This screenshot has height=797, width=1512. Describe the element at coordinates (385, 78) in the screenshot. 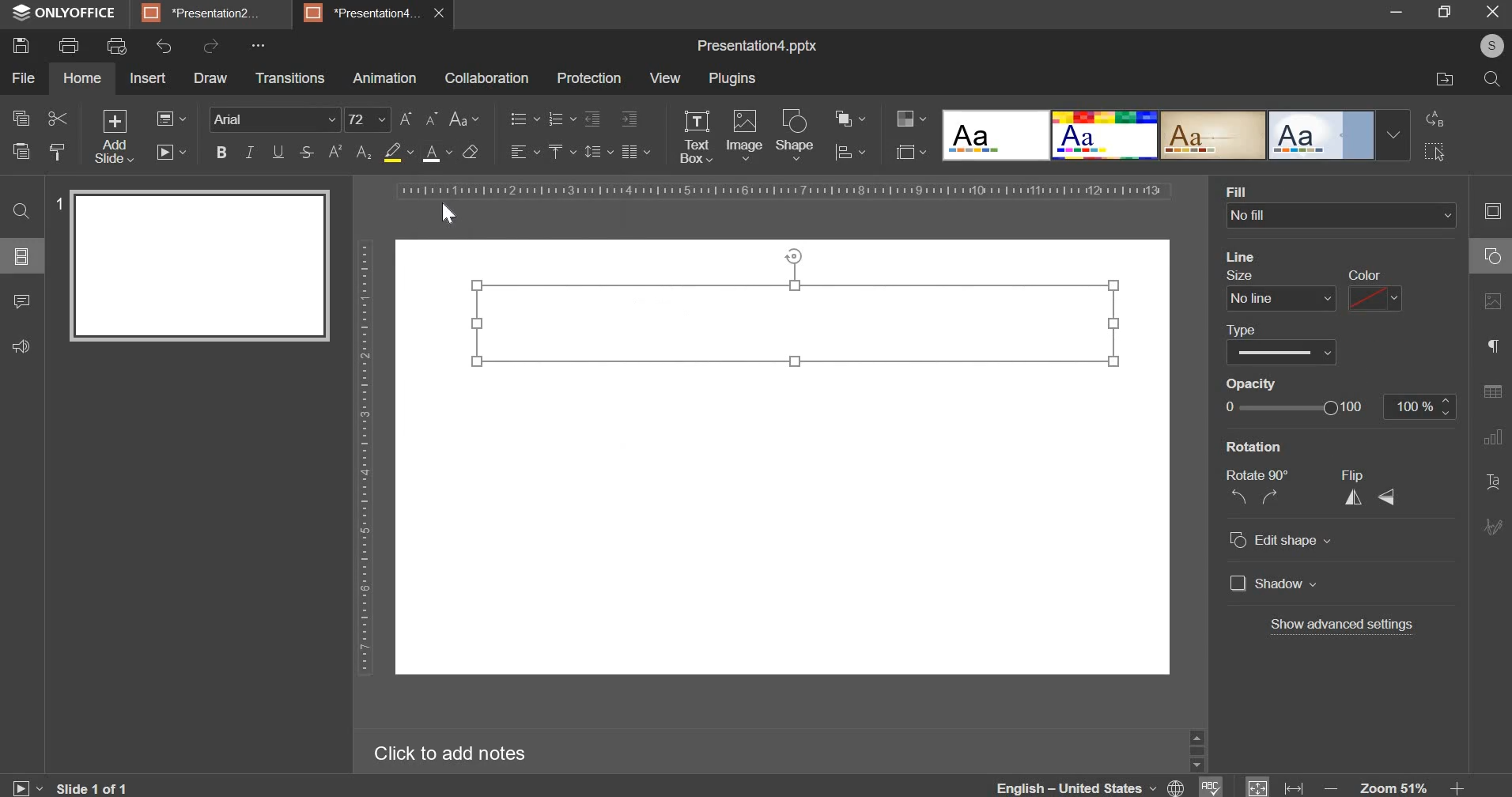

I see `animation` at that location.